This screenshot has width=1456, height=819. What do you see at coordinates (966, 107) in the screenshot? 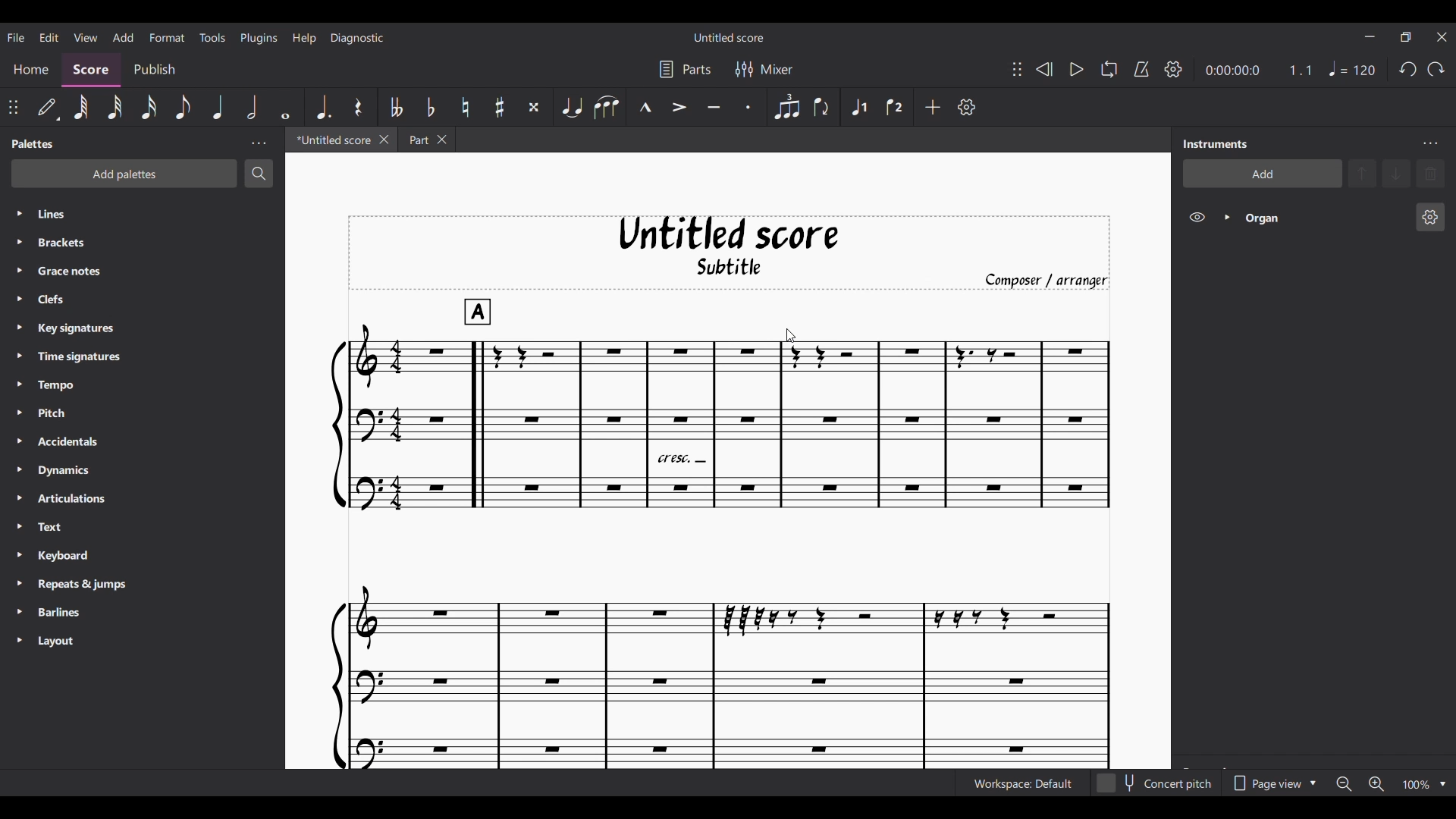
I see `Customize toolbar` at bounding box center [966, 107].